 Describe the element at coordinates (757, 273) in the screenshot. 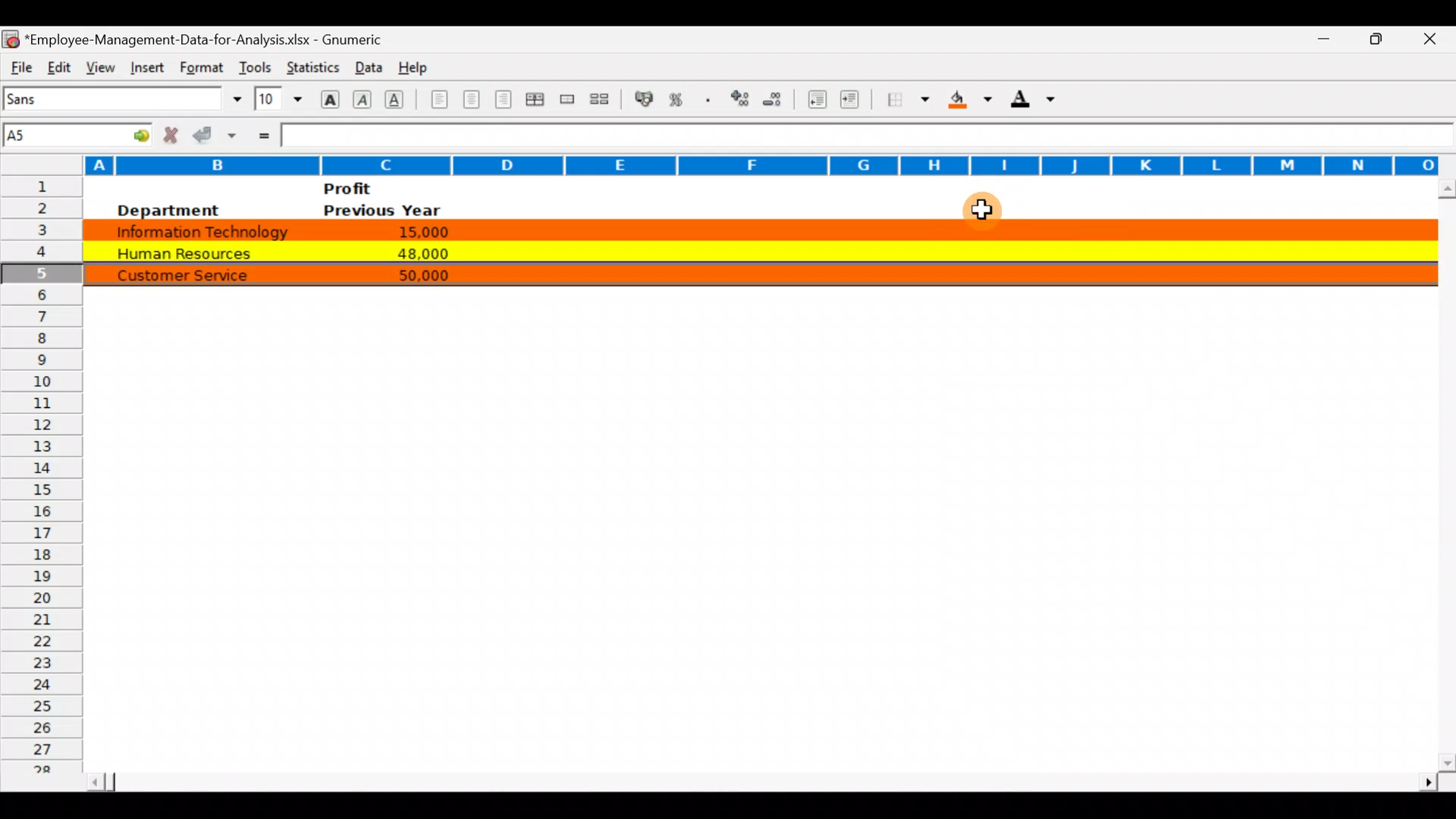

I see `Row 5 of data selected` at that location.